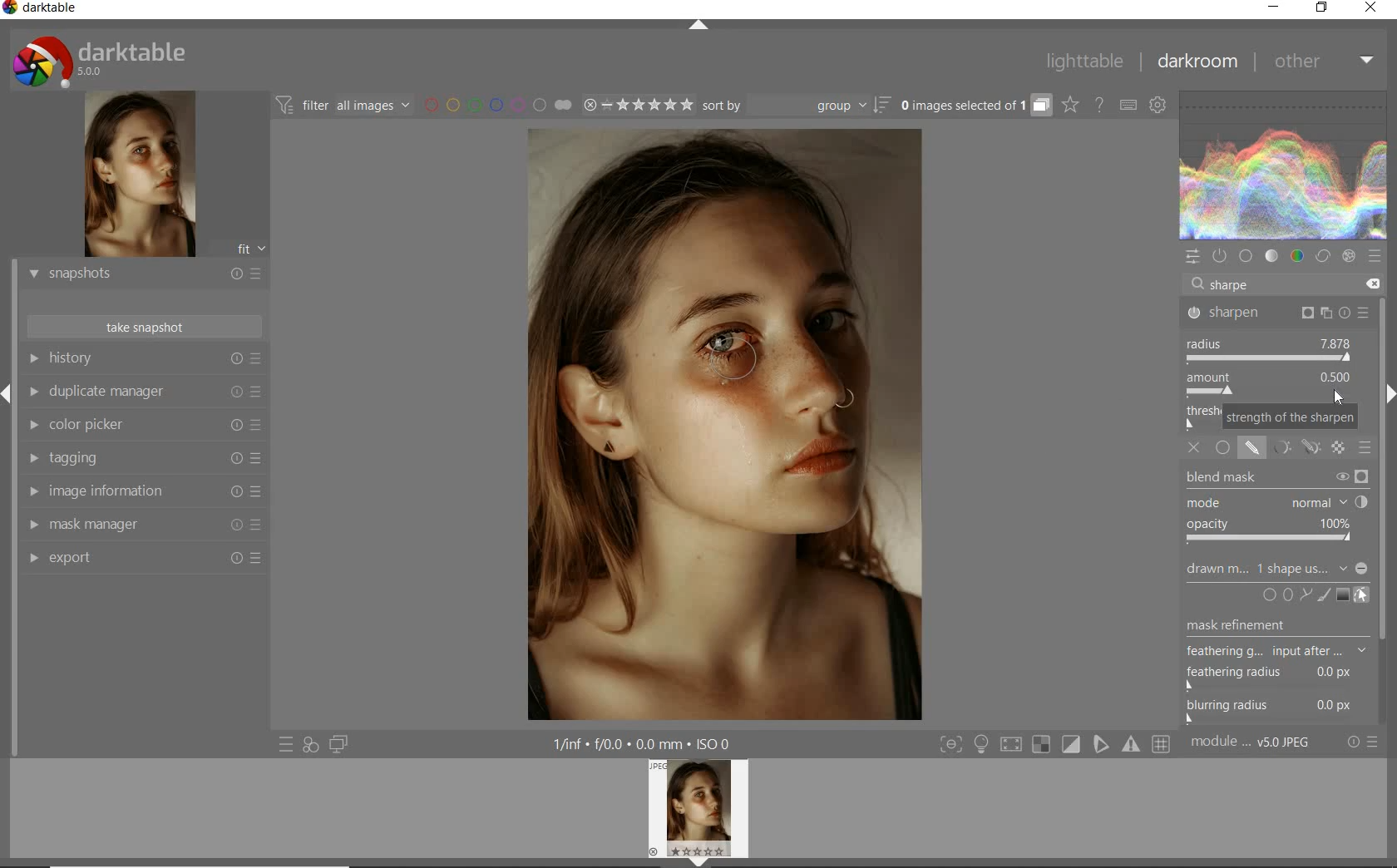  Describe the element at coordinates (1277, 479) in the screenshot. I see `BLEND MASK` at that location.